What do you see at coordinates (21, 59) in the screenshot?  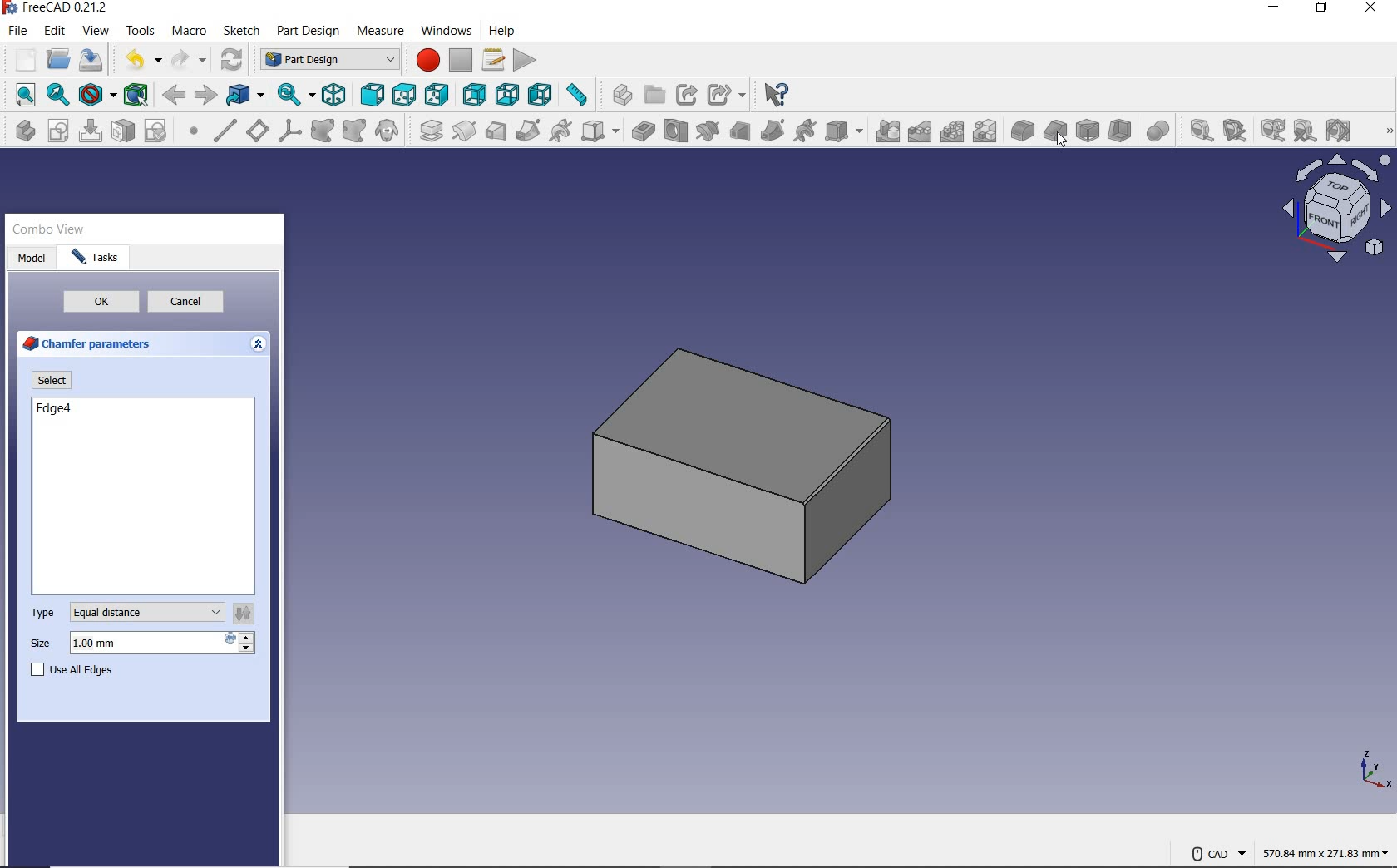 I see `new` at bounding box center [21, 59].